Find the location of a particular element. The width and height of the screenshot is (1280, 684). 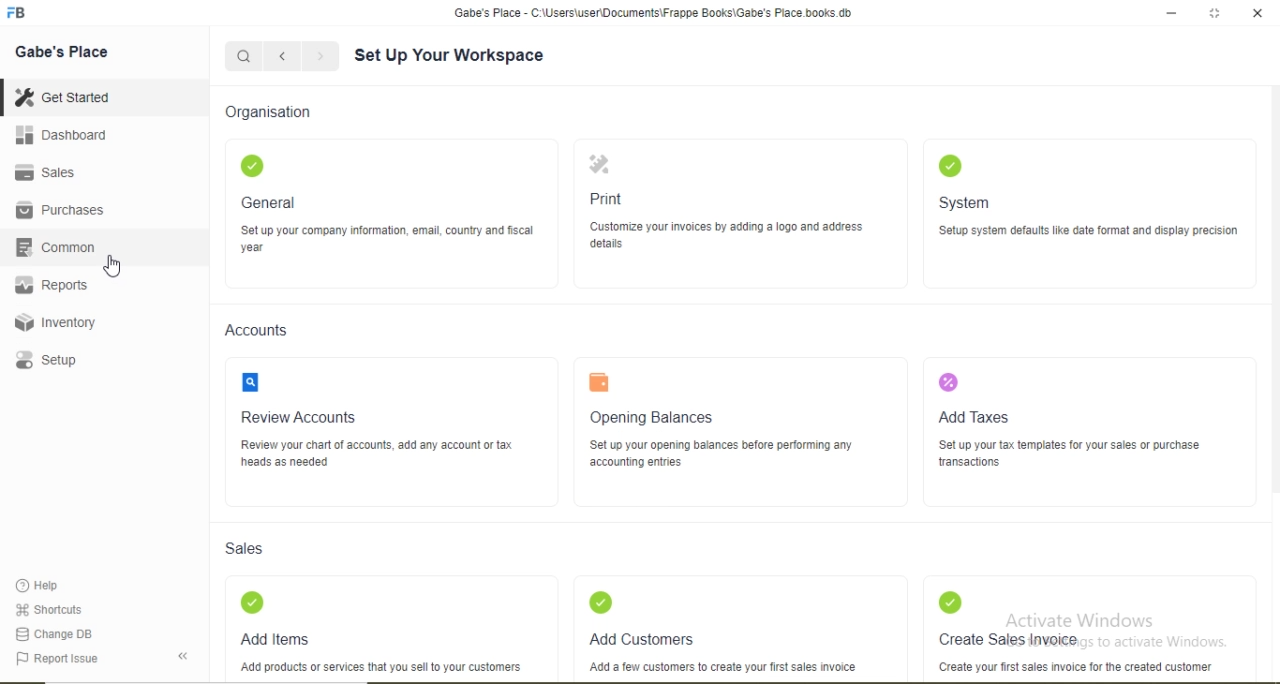

Logo is located at coordinates (251, 166).